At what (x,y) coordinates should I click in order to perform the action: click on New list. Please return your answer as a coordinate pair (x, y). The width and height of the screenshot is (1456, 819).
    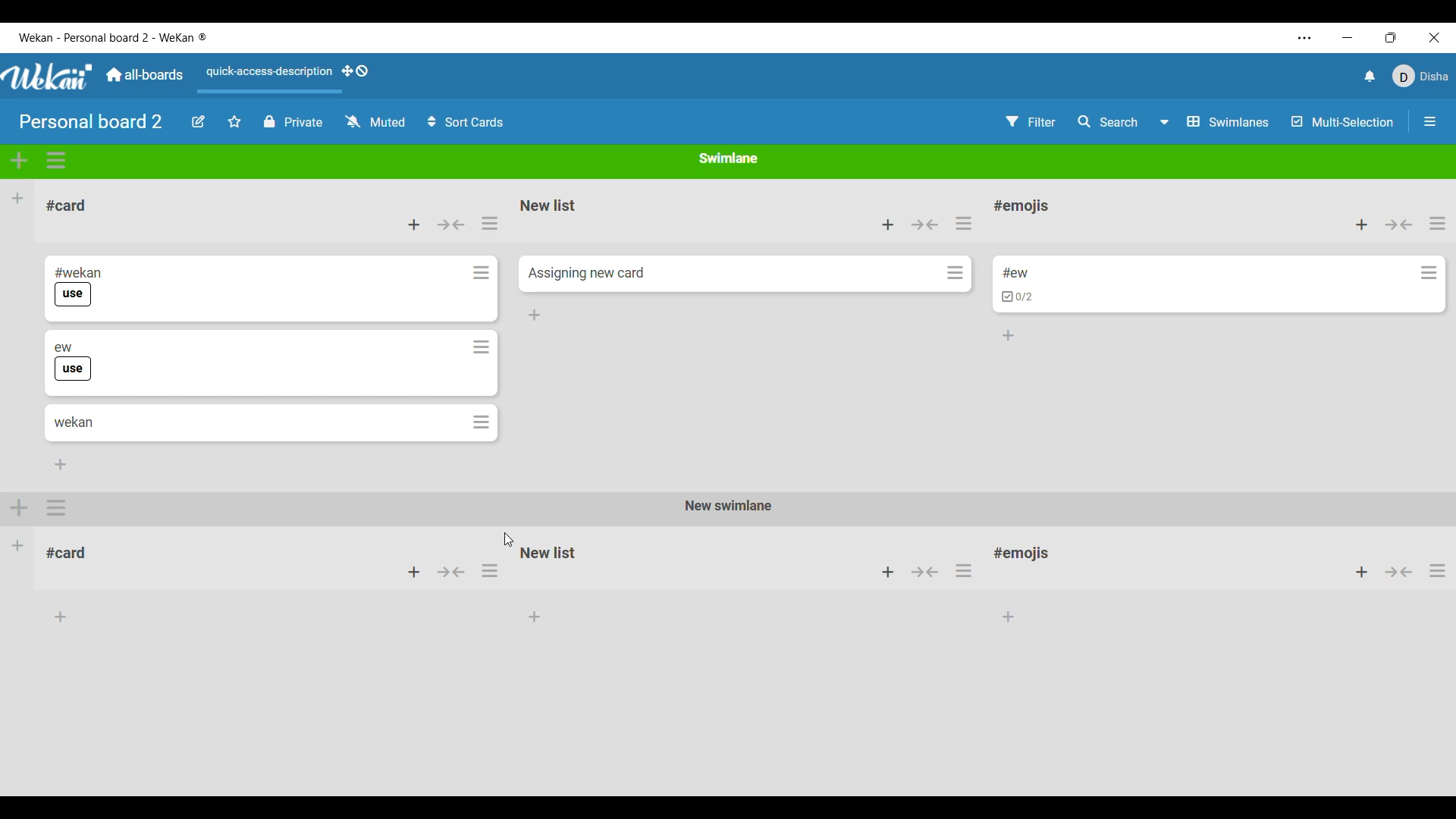
    Looking at the image, I should click on (544, 561).